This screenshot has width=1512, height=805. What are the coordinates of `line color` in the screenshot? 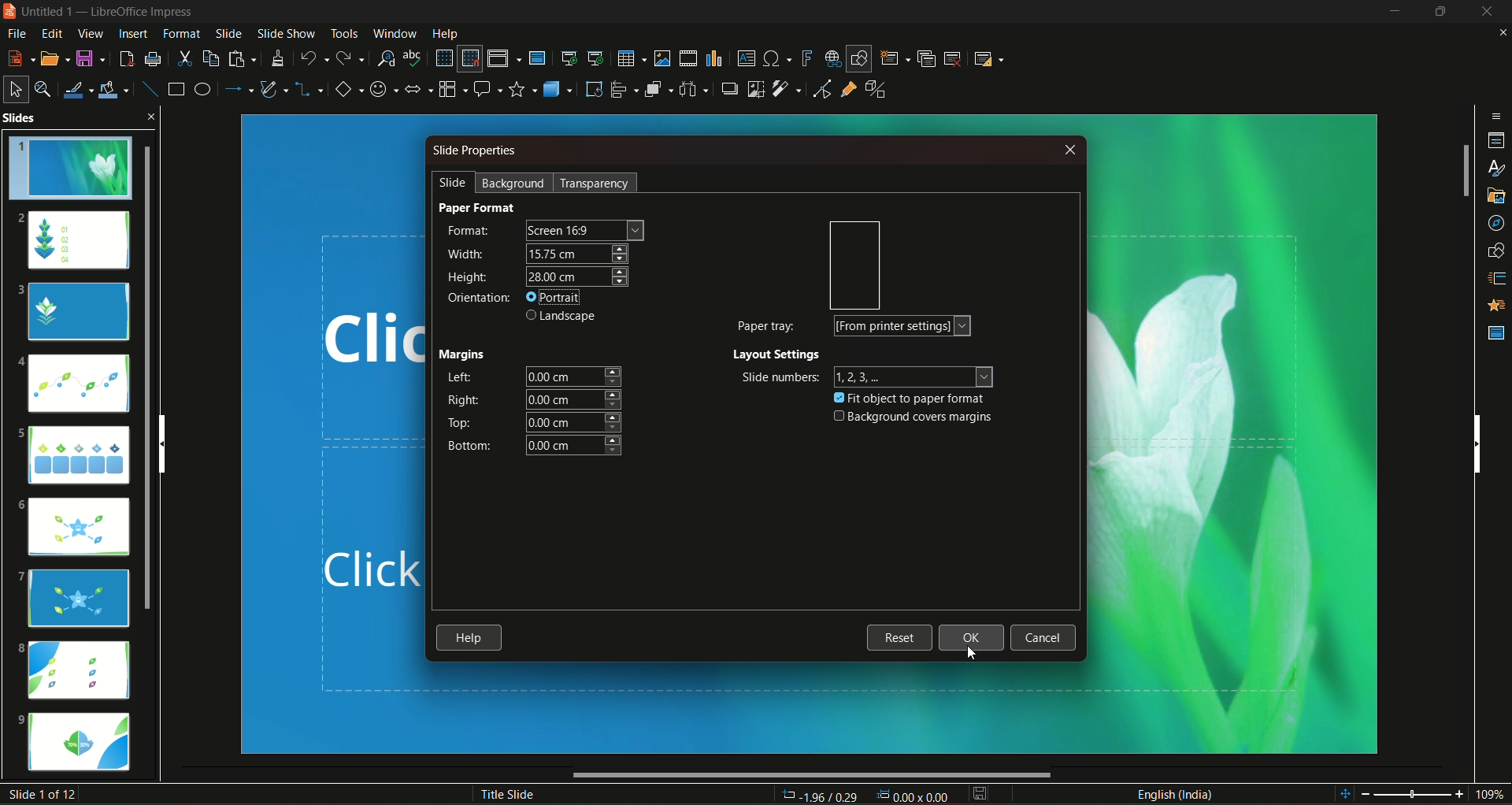 It's located at (80, 88).